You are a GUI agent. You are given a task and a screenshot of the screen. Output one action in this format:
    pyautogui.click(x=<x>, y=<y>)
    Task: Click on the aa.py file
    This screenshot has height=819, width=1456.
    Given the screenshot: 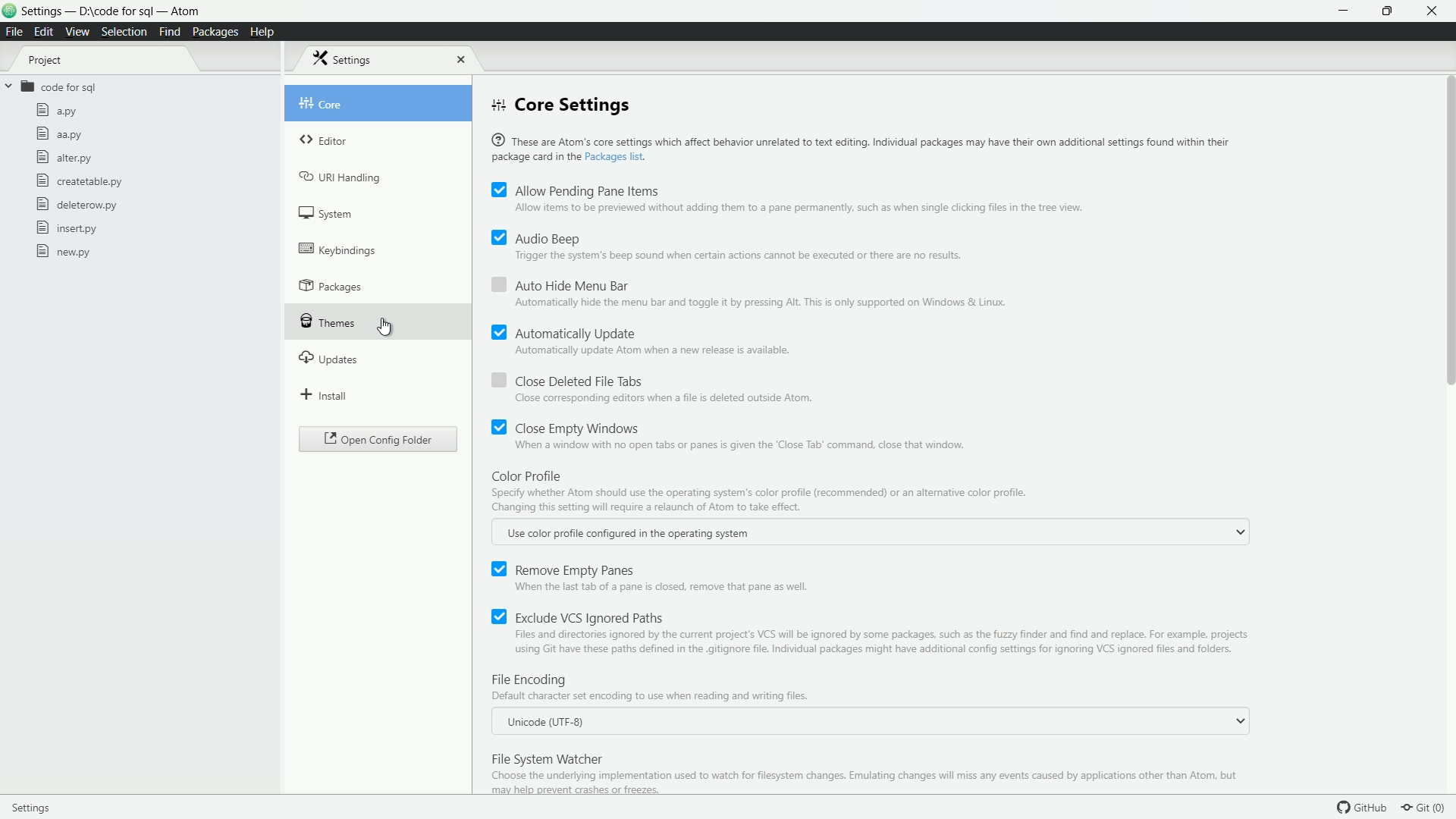 What is the action you would take?
    pyautogui.click(x=58, y=136)
    